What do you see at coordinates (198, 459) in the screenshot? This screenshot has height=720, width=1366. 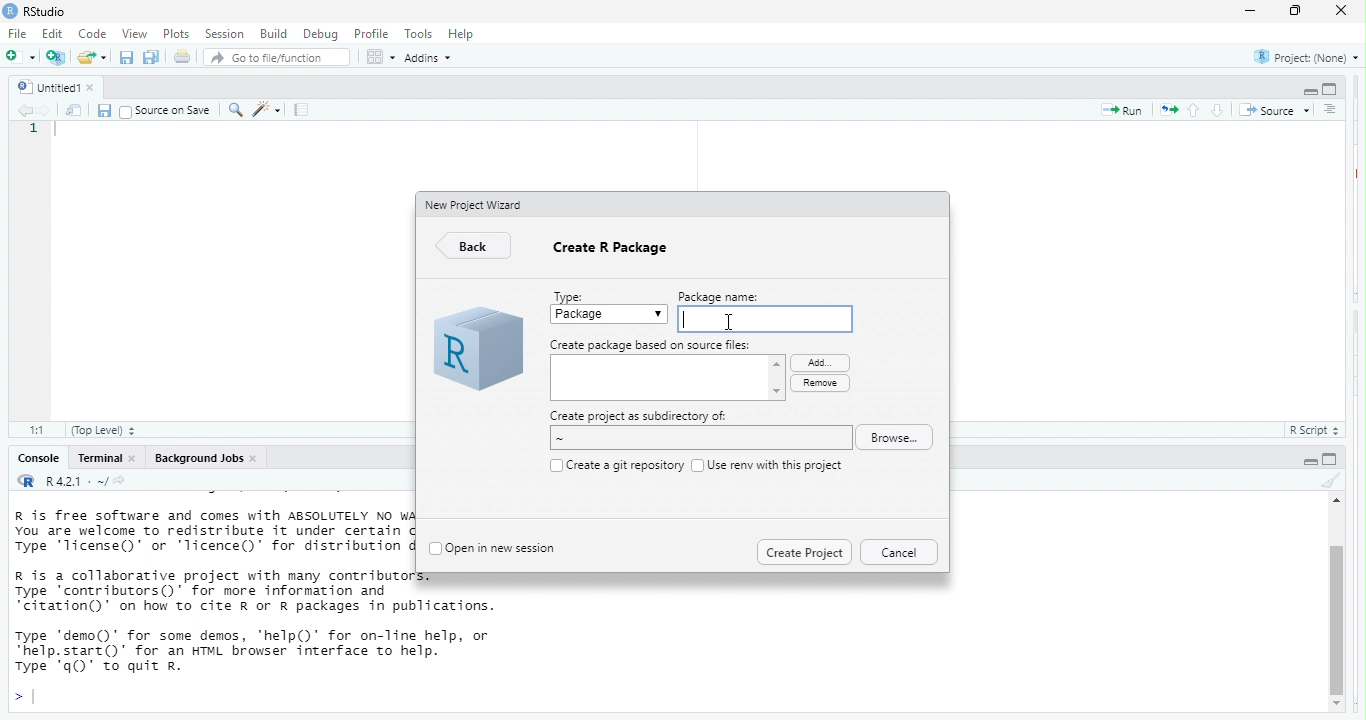 I see `Background Jobs` at bounding box center [198, 459].